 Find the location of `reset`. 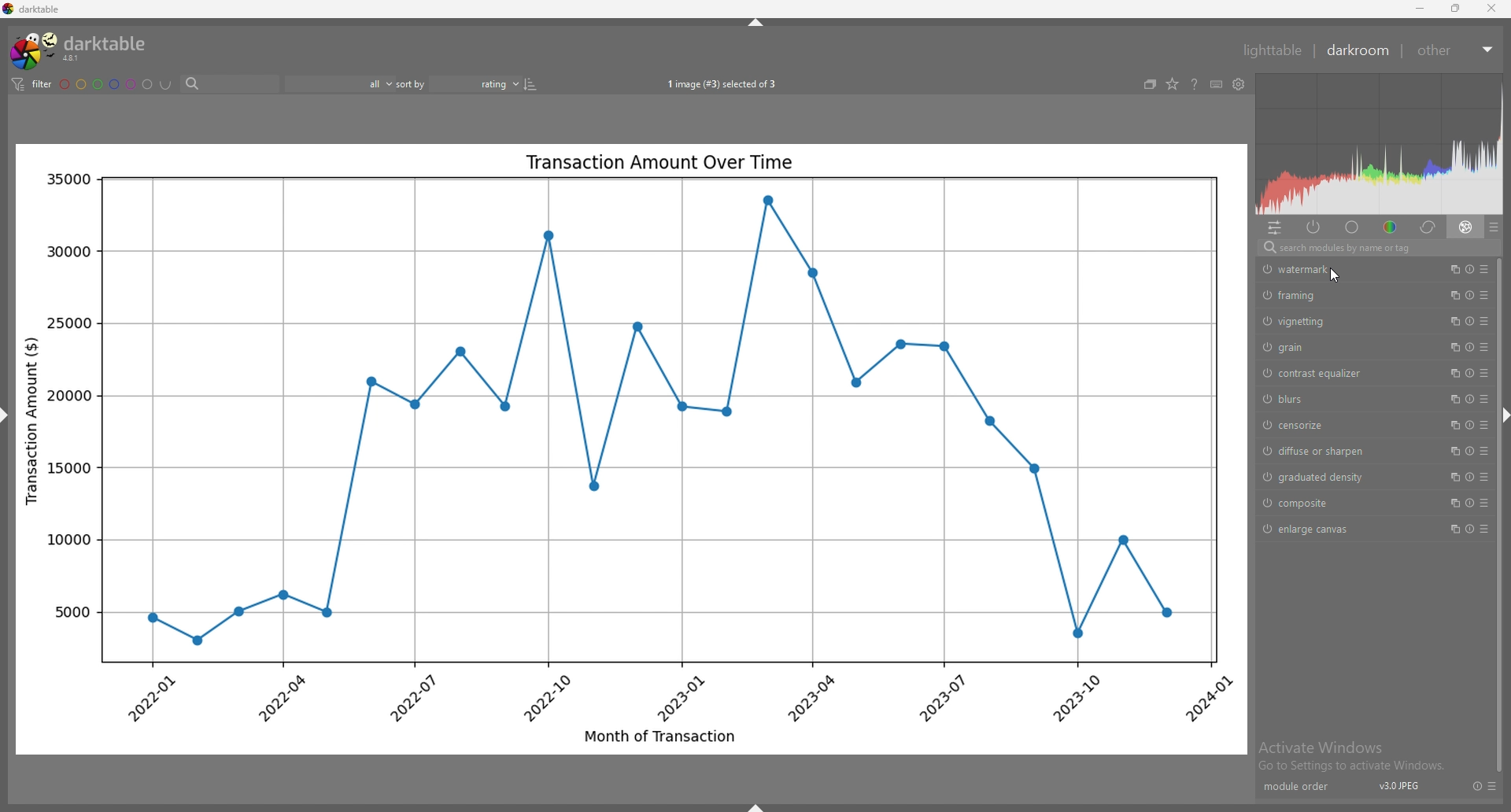

reset is located at coordinates (1472, 528).